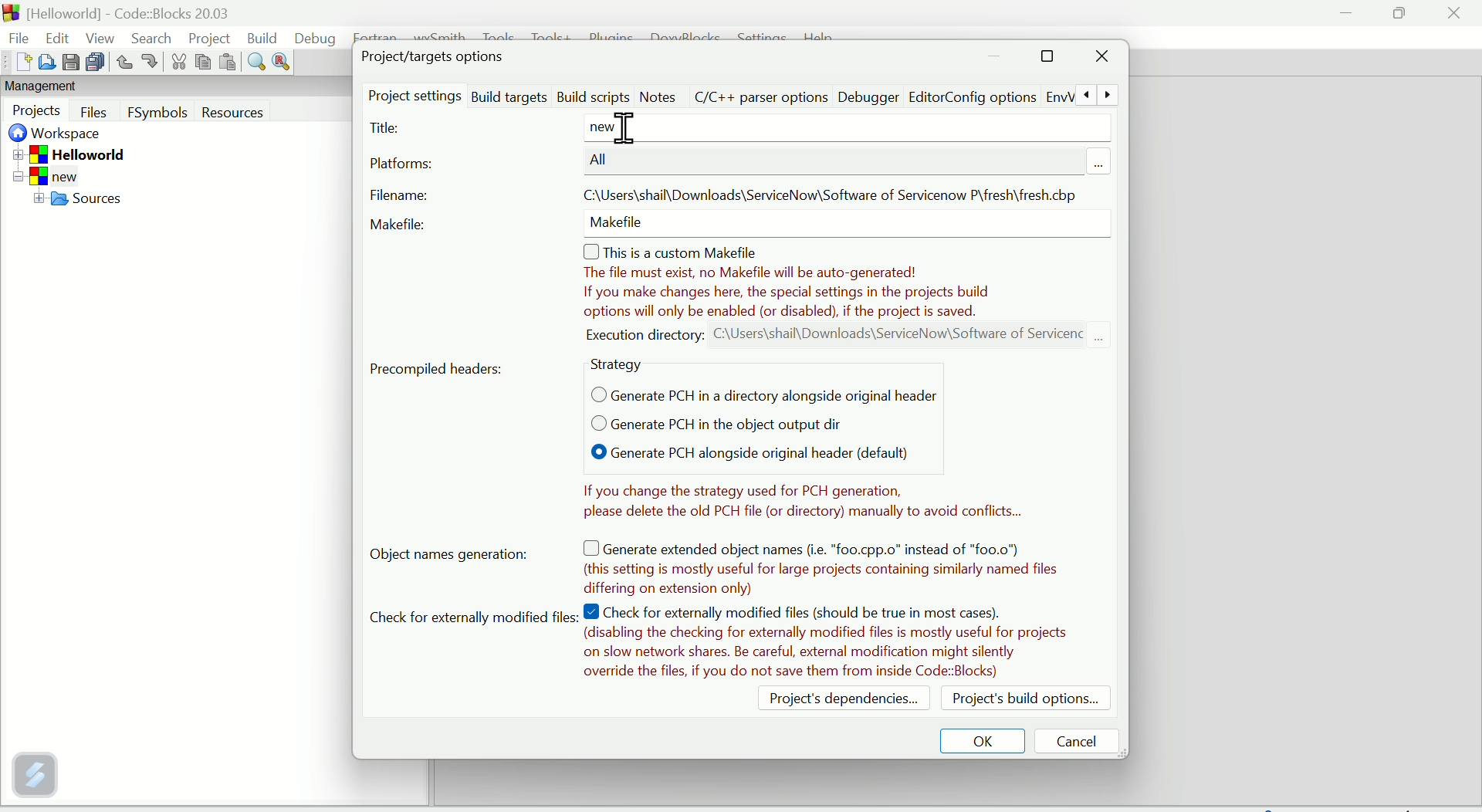  What do you see at coordinates (396, 195) in the screenshot?
I see `File name` at bounding box center [396, 195].